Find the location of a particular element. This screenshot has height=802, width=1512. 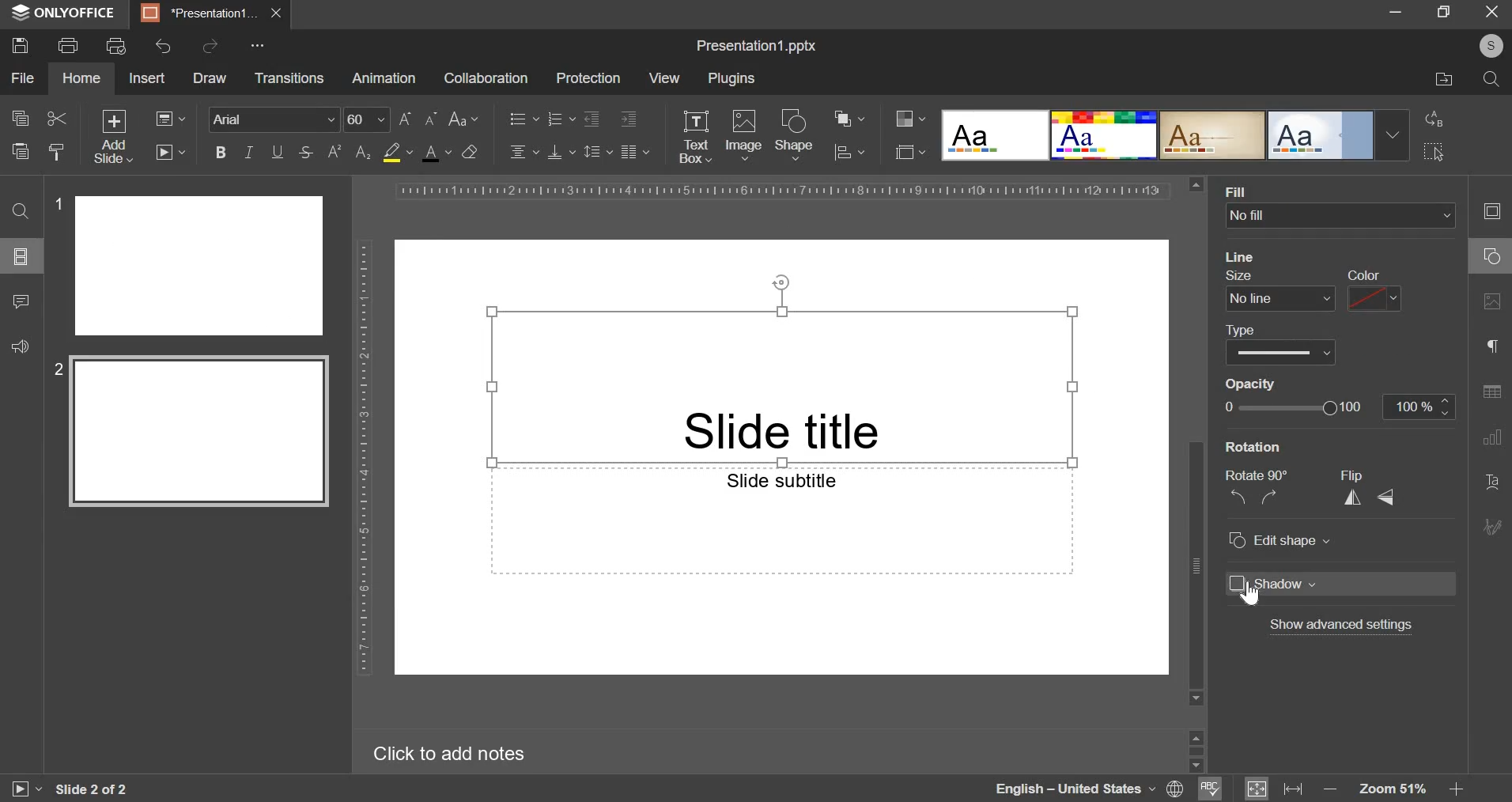

horizontal is located at coordinates (1389, 497).